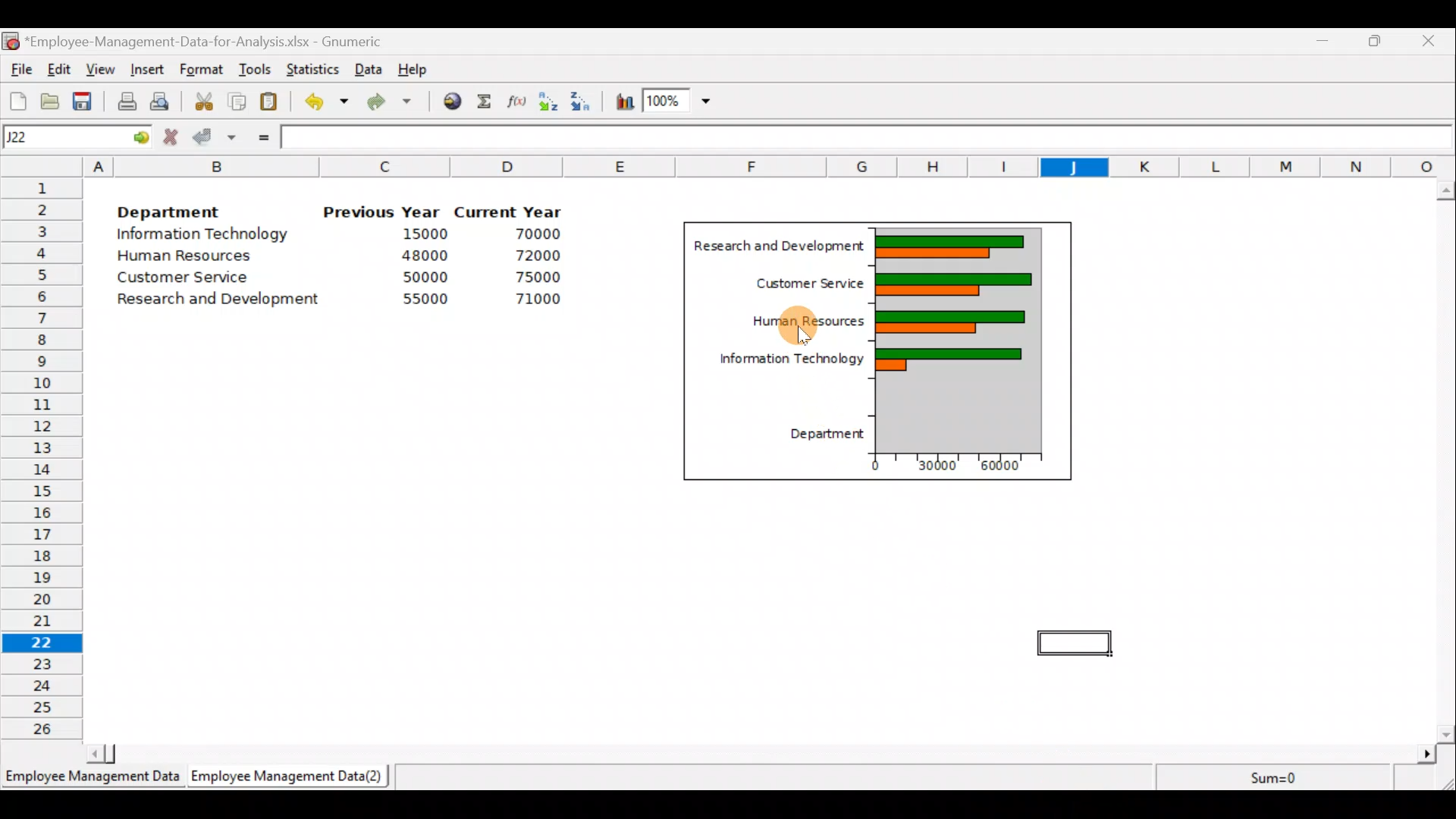 This screenshot has height=819, width=1456. I want to click on Minimize, so click(1319, 45).